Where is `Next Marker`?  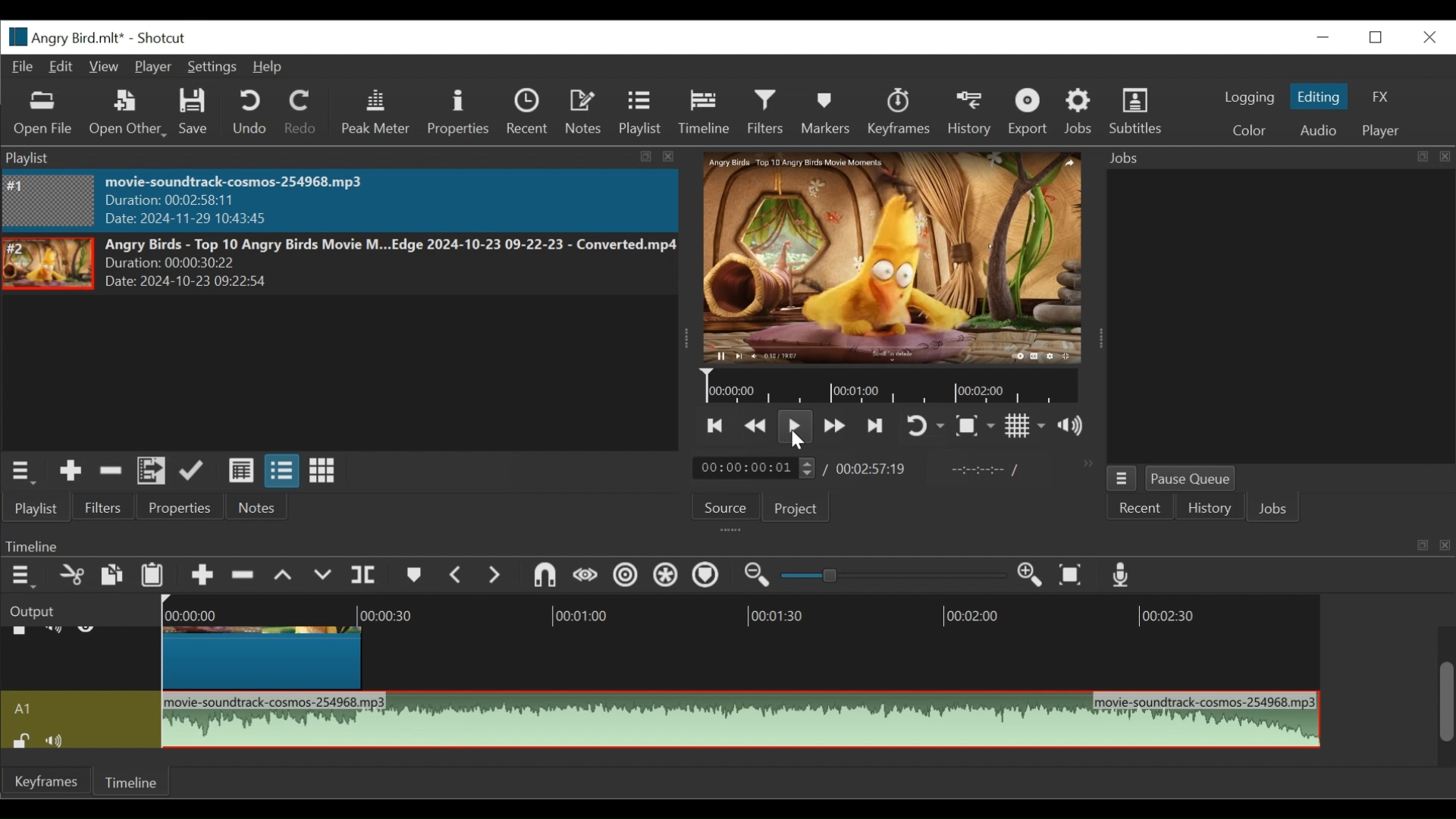 Next Marker is located at coordinates (492, 576).